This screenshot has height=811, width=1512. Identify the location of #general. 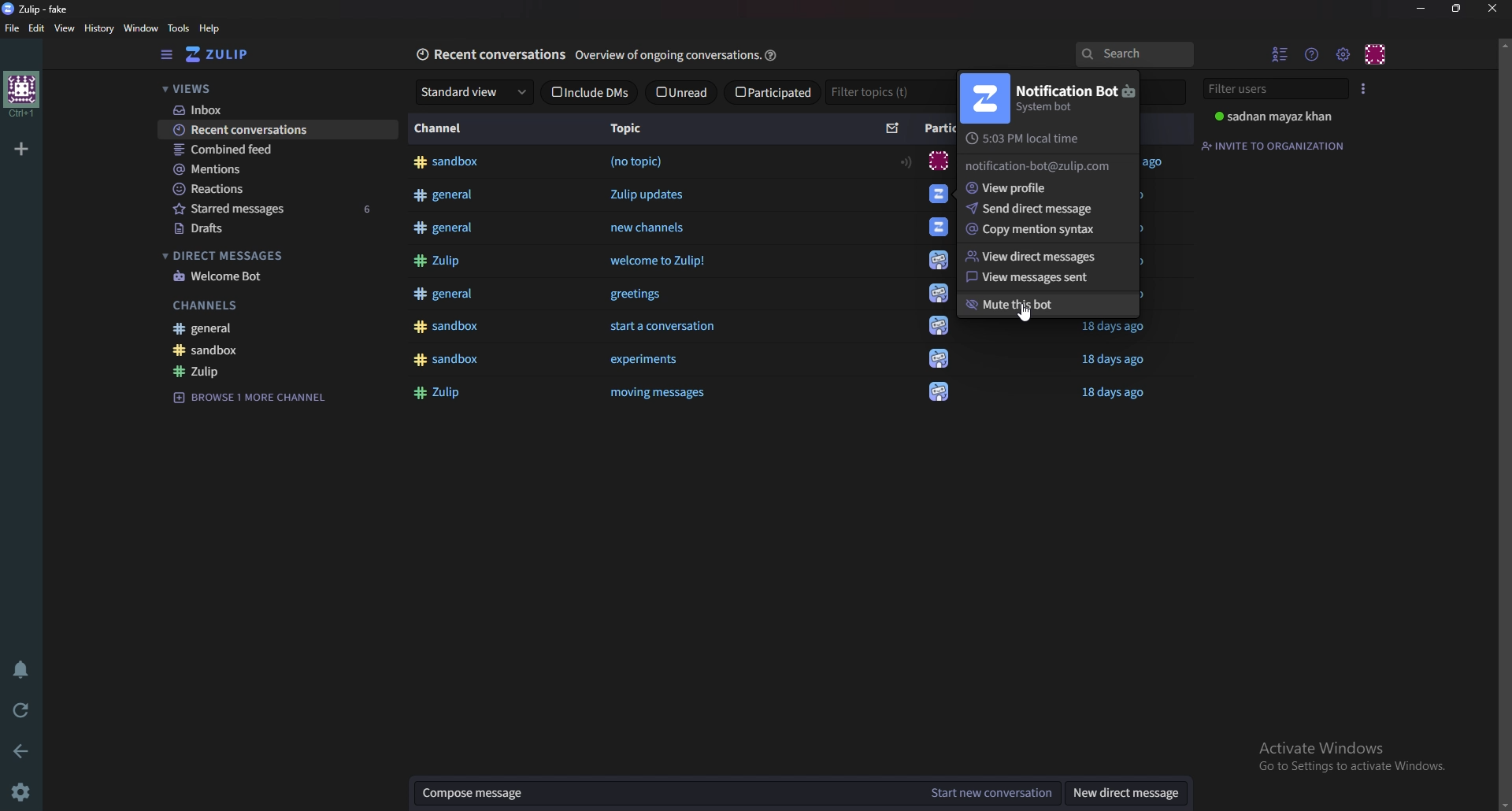
(449, 196).